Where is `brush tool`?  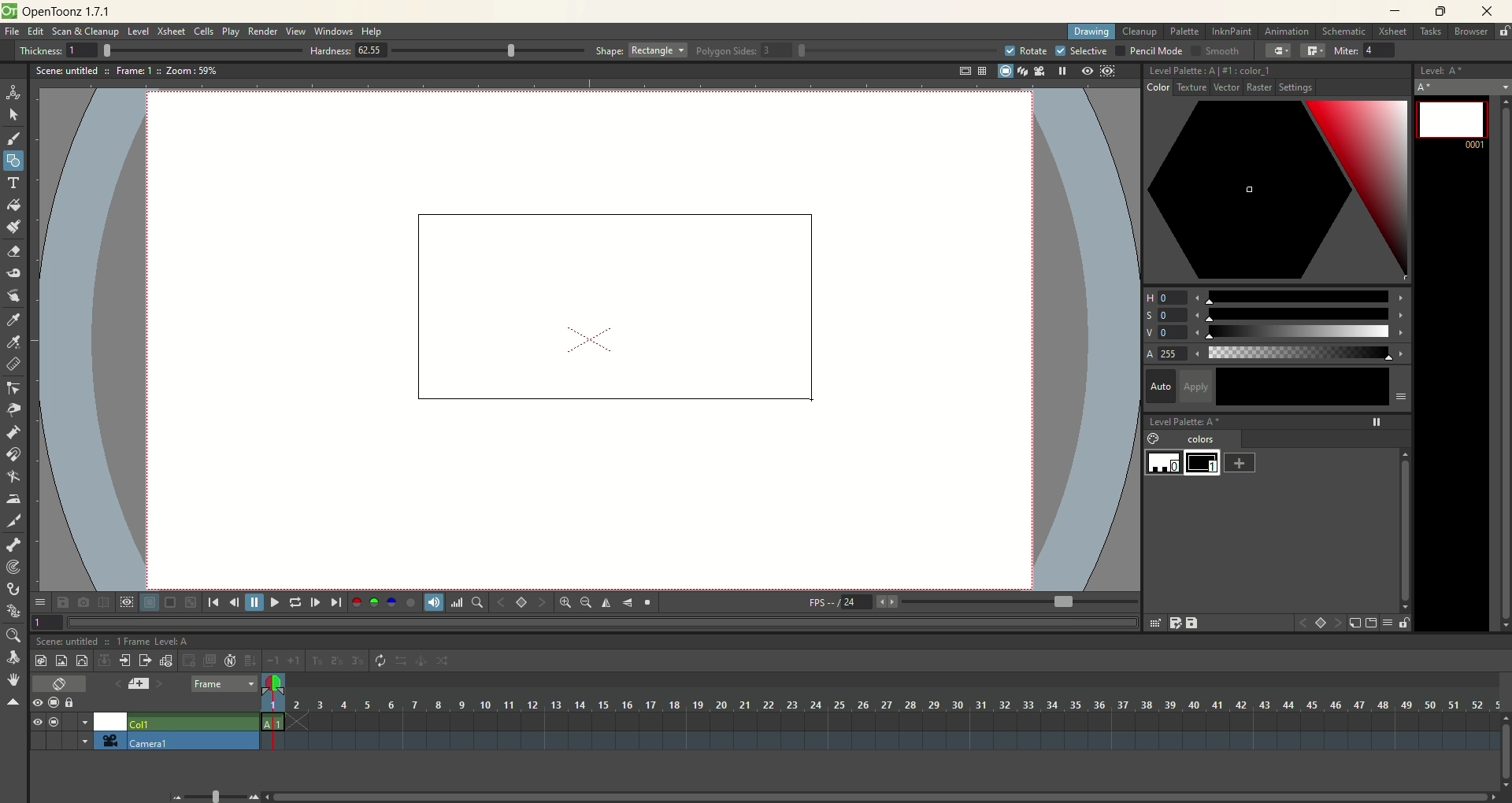
brush tool is located at coordinates (15, 140).